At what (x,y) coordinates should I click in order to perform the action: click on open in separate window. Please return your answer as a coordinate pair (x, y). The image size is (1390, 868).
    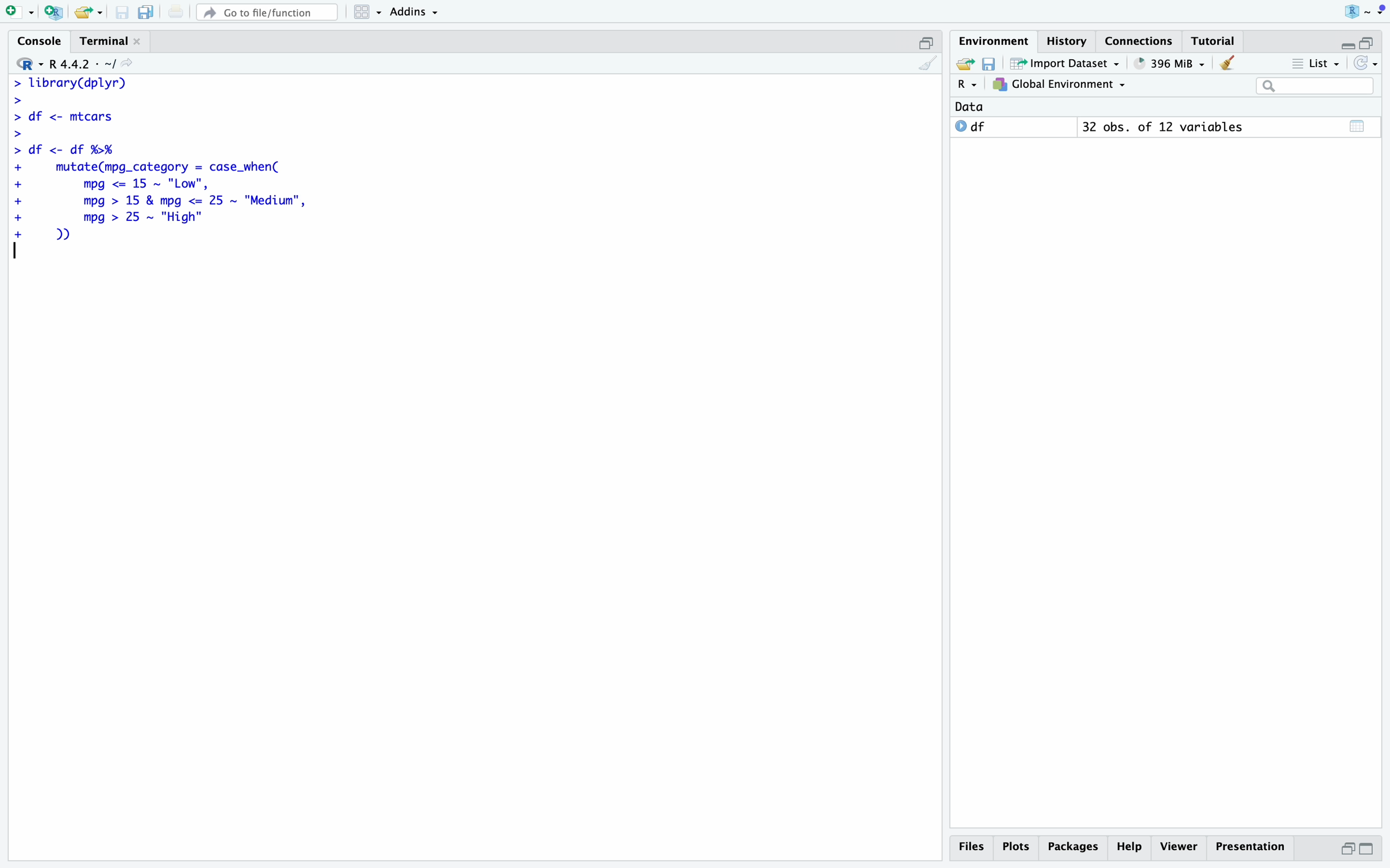
    Looking at the image, I should click on (1347, 849).